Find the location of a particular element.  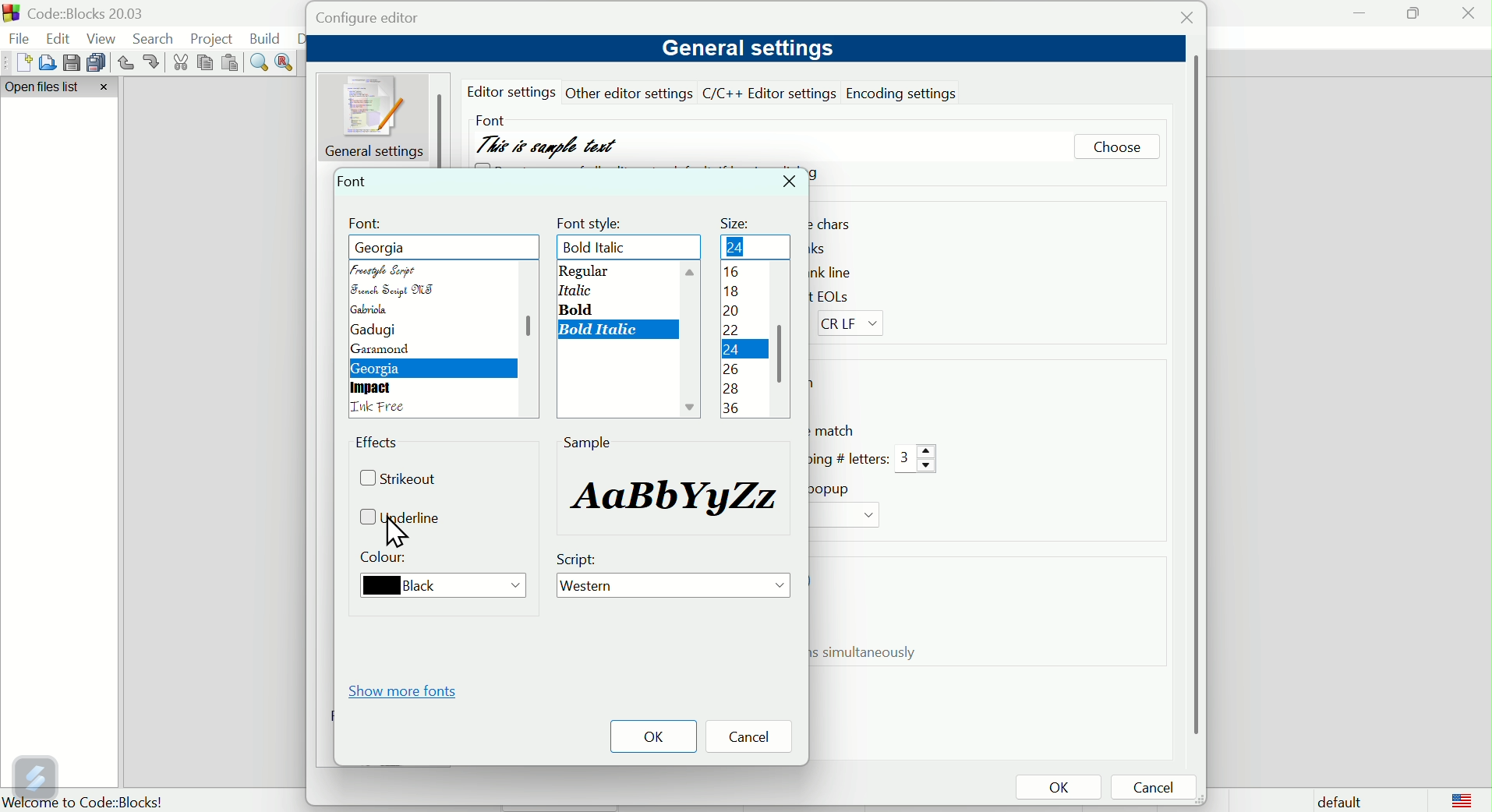

line is located at coordinates (843, 271).